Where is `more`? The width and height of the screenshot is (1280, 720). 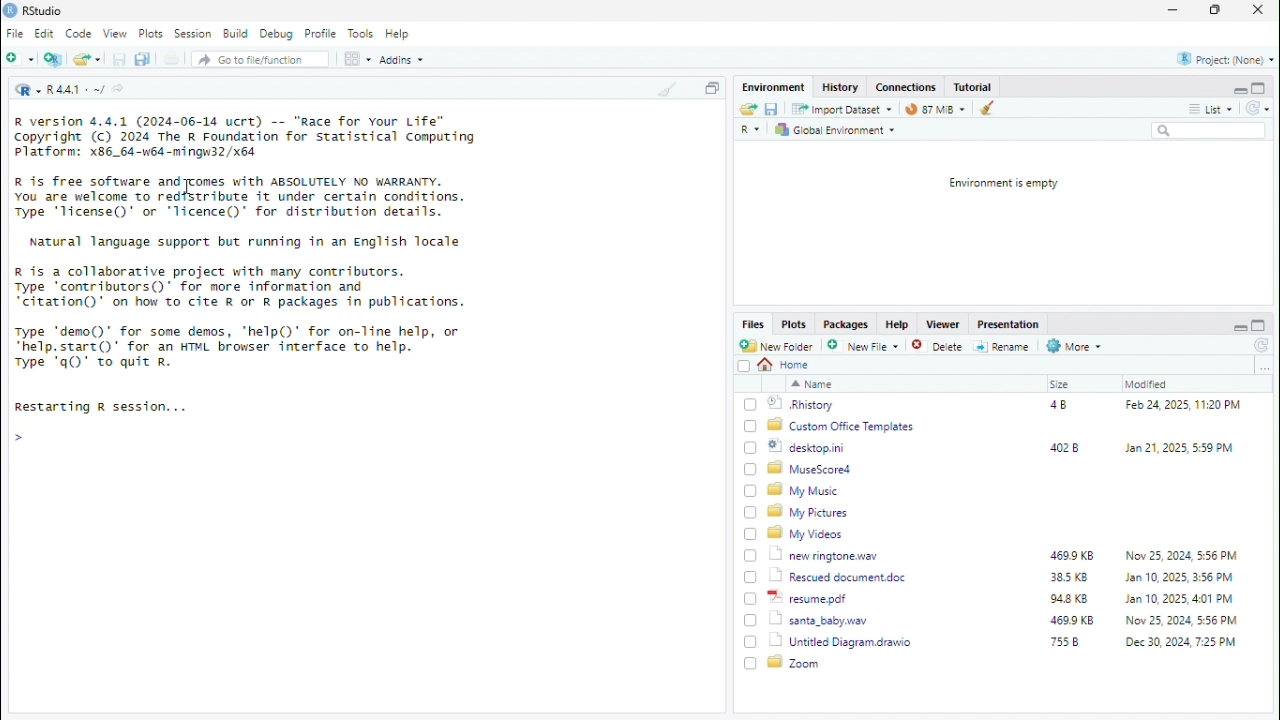
more is located at coordinates (1195, 109).